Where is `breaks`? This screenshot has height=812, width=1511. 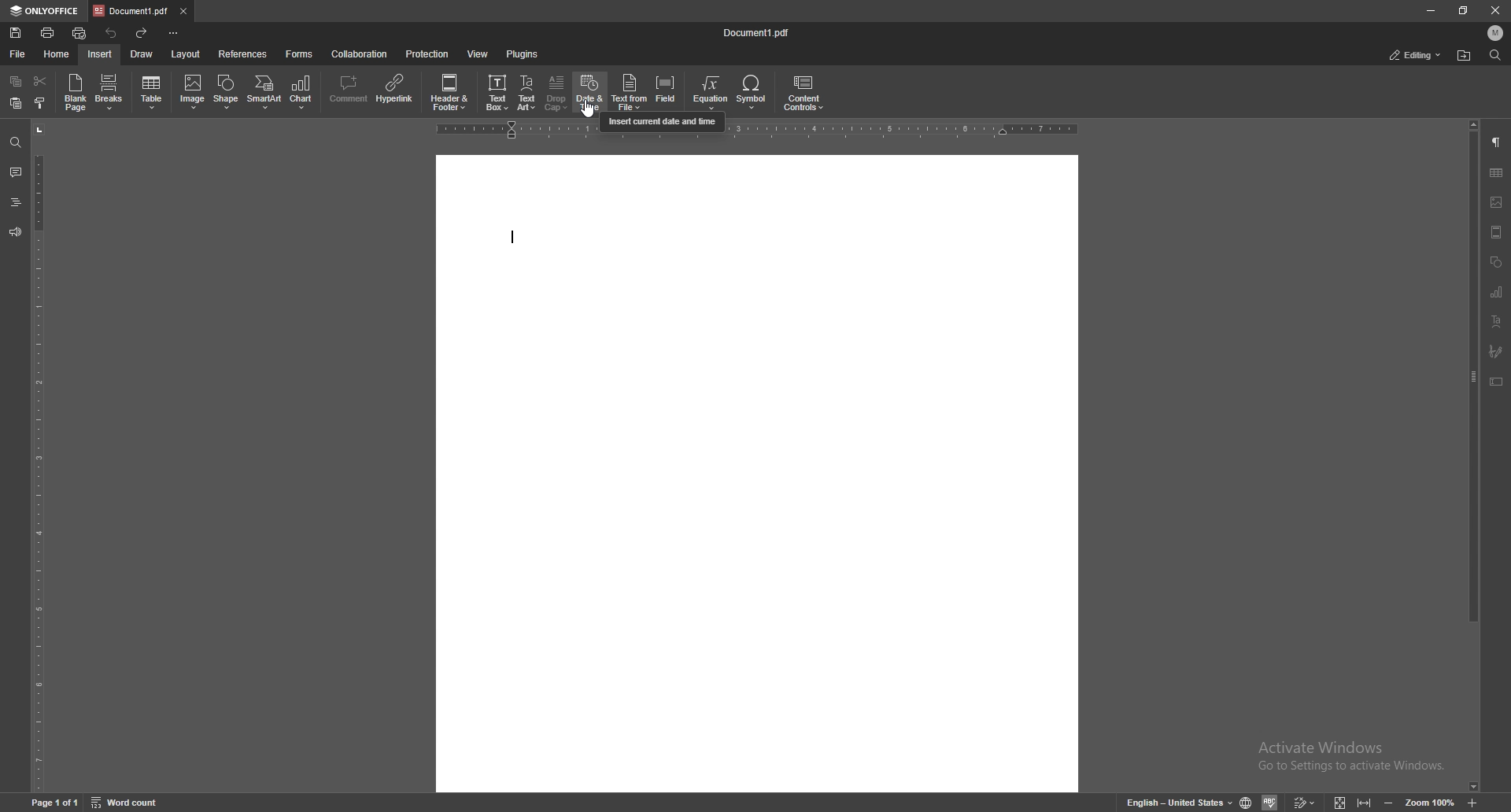 breaks is located at coordinates (110, 92).